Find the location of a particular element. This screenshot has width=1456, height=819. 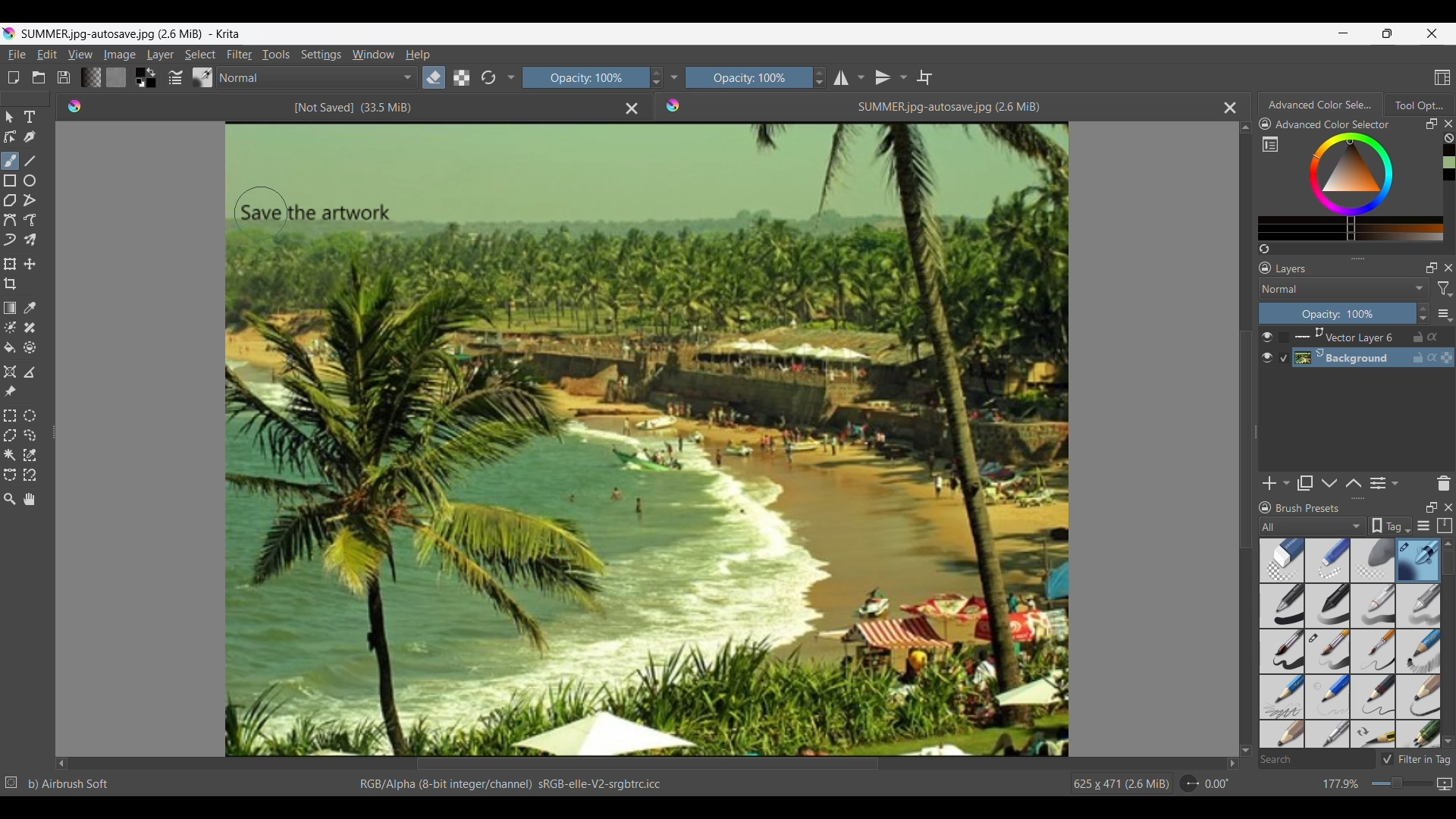

Add options is located at coordinates (1276, 483).